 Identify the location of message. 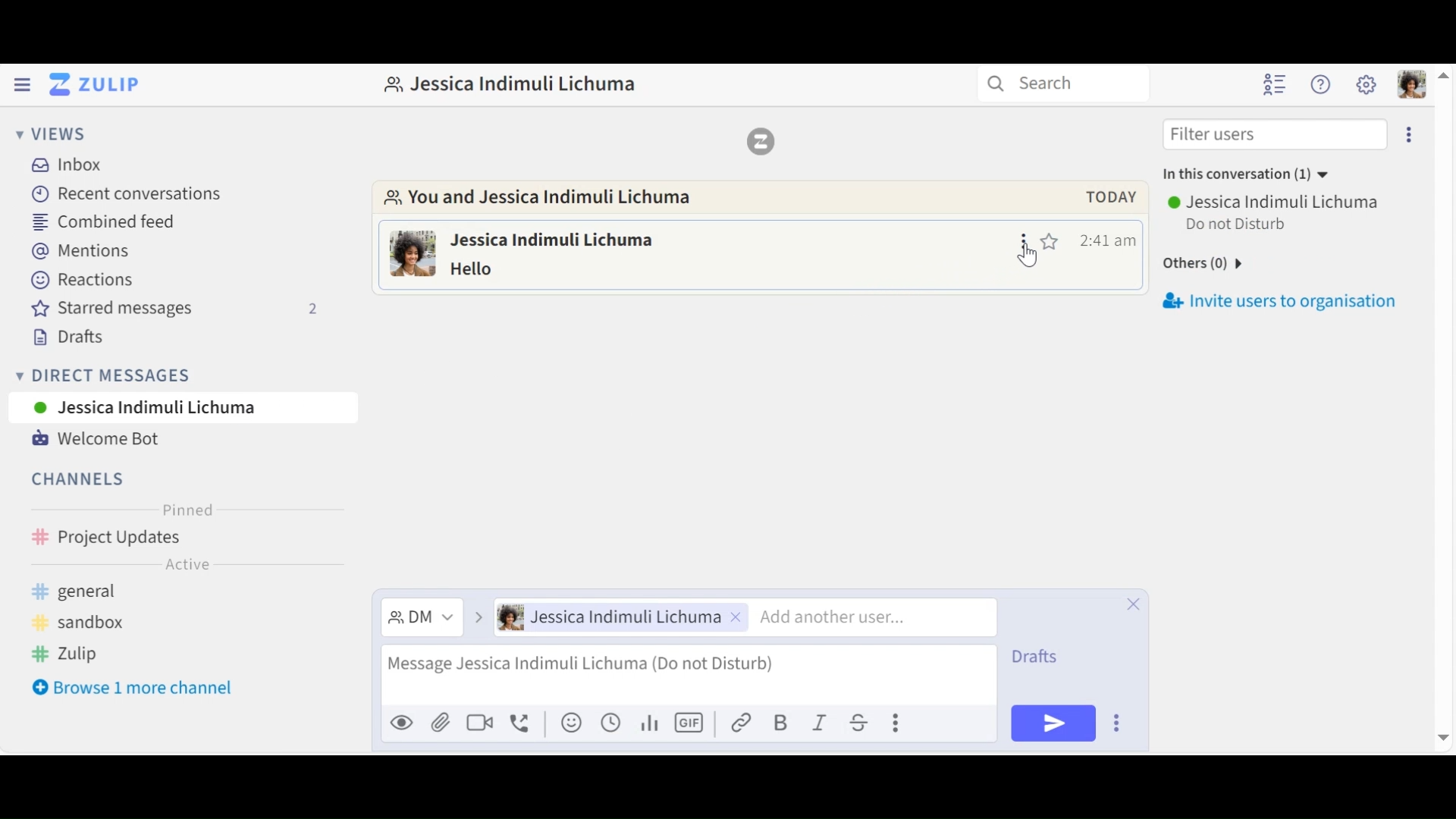
(494, 268).